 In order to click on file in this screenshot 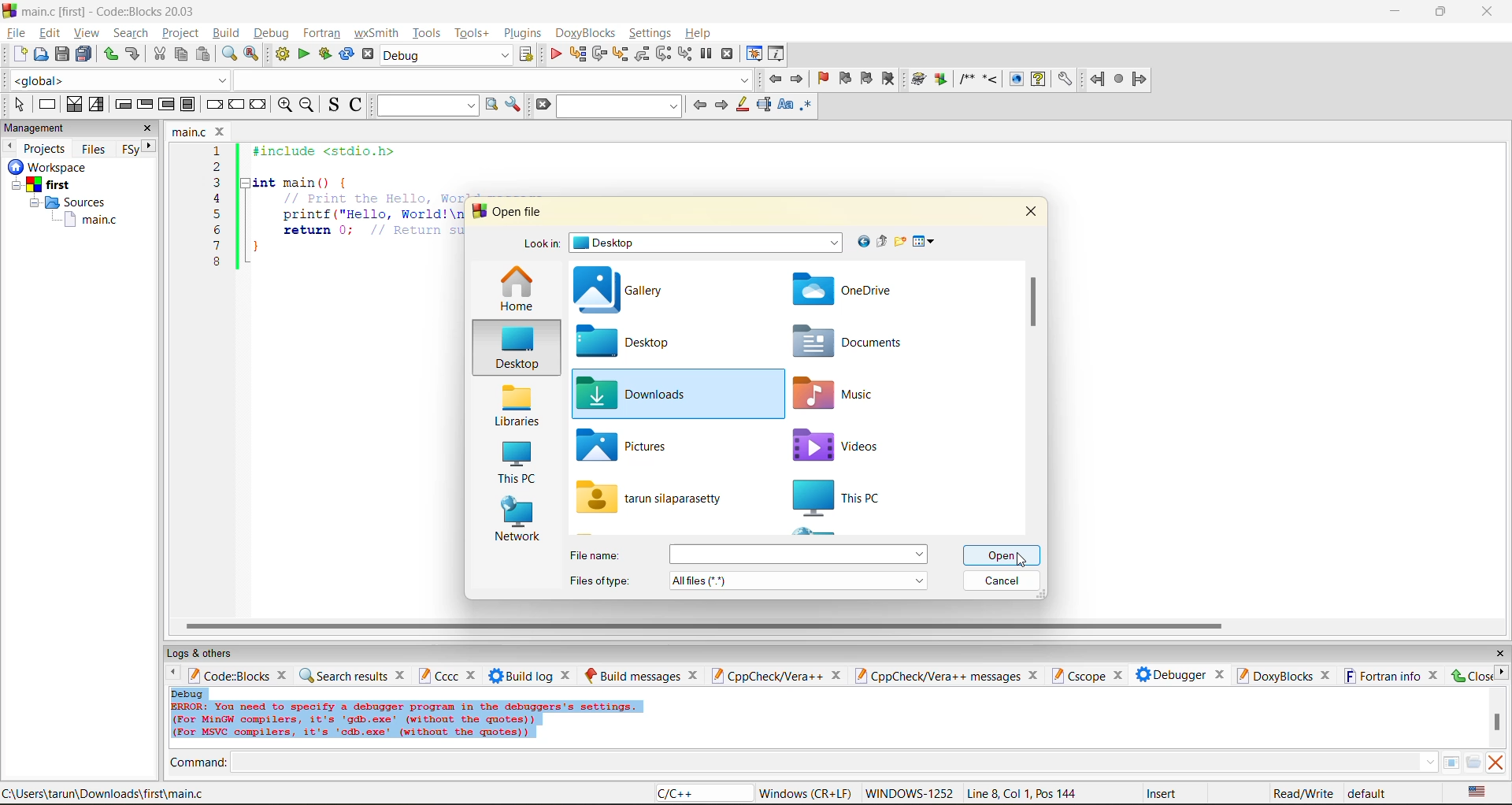, I will do `click(15, 31)`.